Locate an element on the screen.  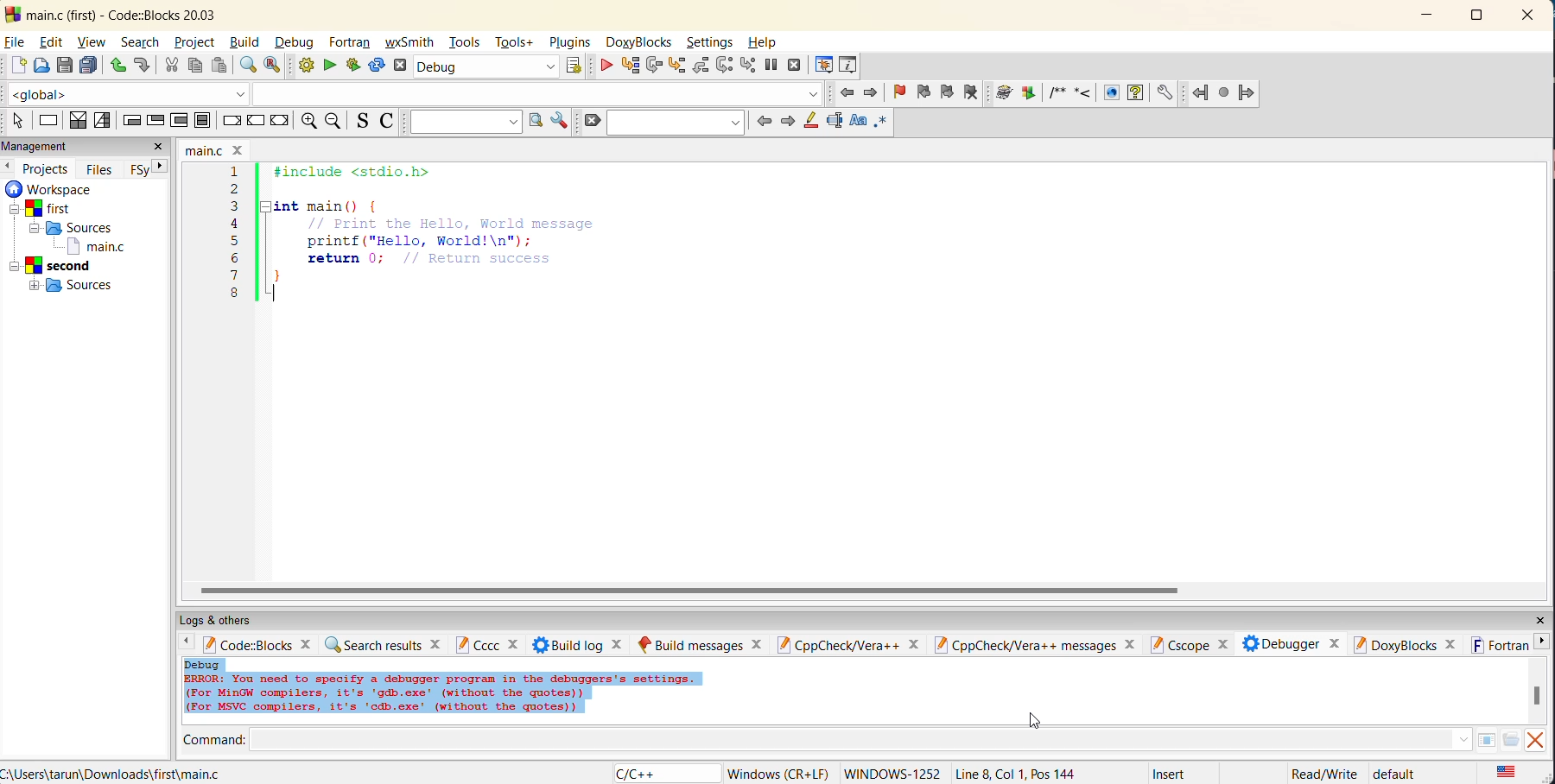
view is located at coordinates (91, 41).